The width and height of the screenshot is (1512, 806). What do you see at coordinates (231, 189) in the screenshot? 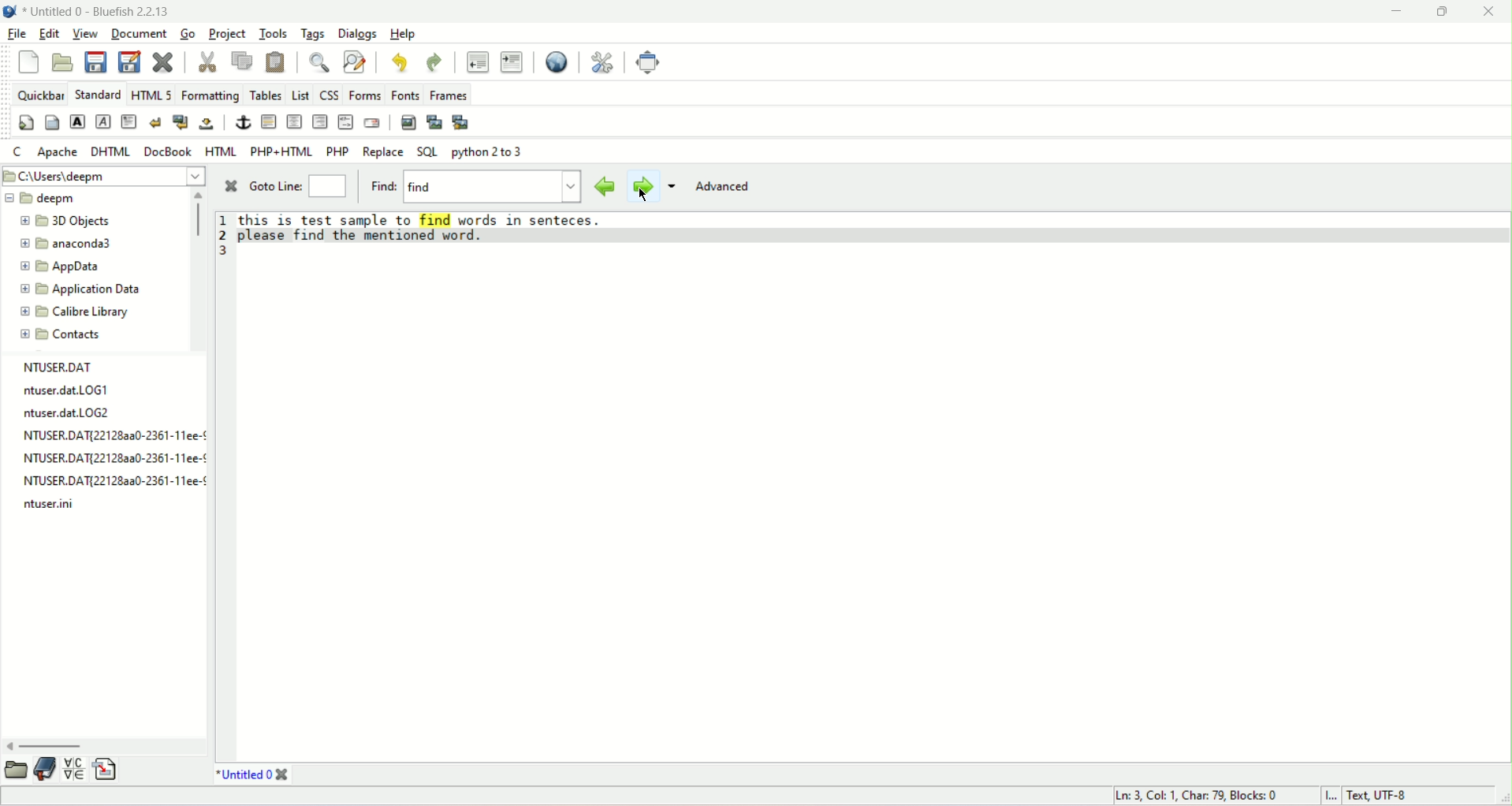
I see `close` at bounding box center [231, 189].